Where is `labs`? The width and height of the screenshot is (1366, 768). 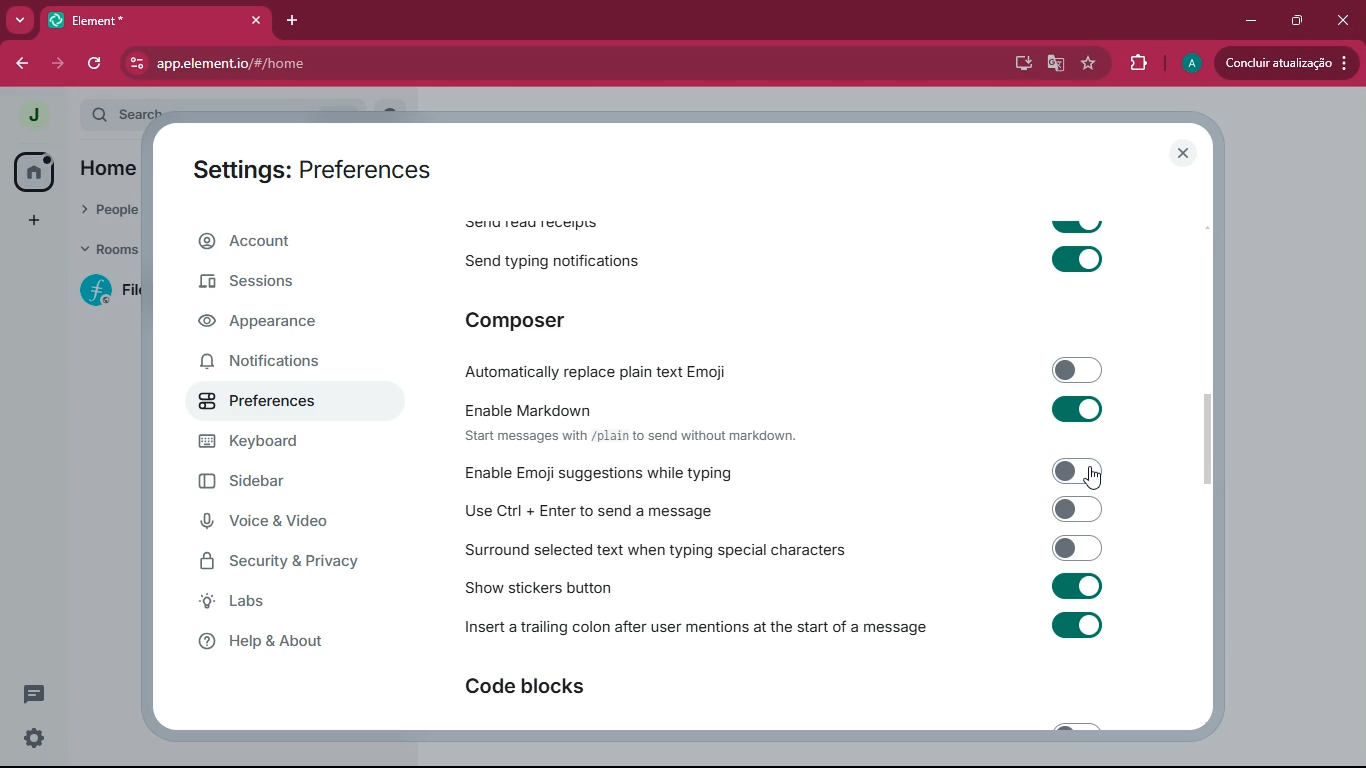 labs is located at coordinates (266, 602).